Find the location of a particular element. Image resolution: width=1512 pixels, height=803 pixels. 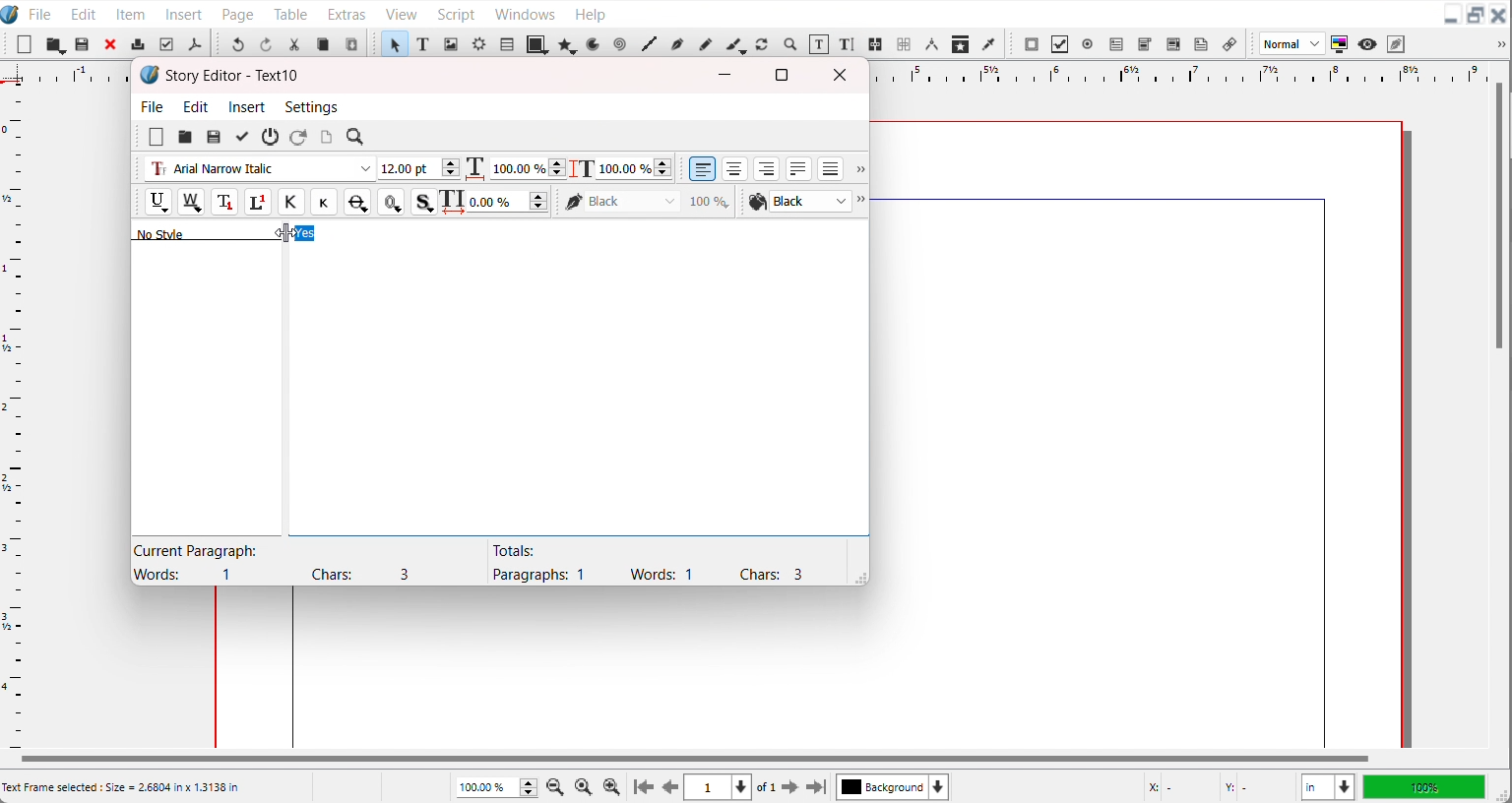

Close is located at coordinates (844, 75).